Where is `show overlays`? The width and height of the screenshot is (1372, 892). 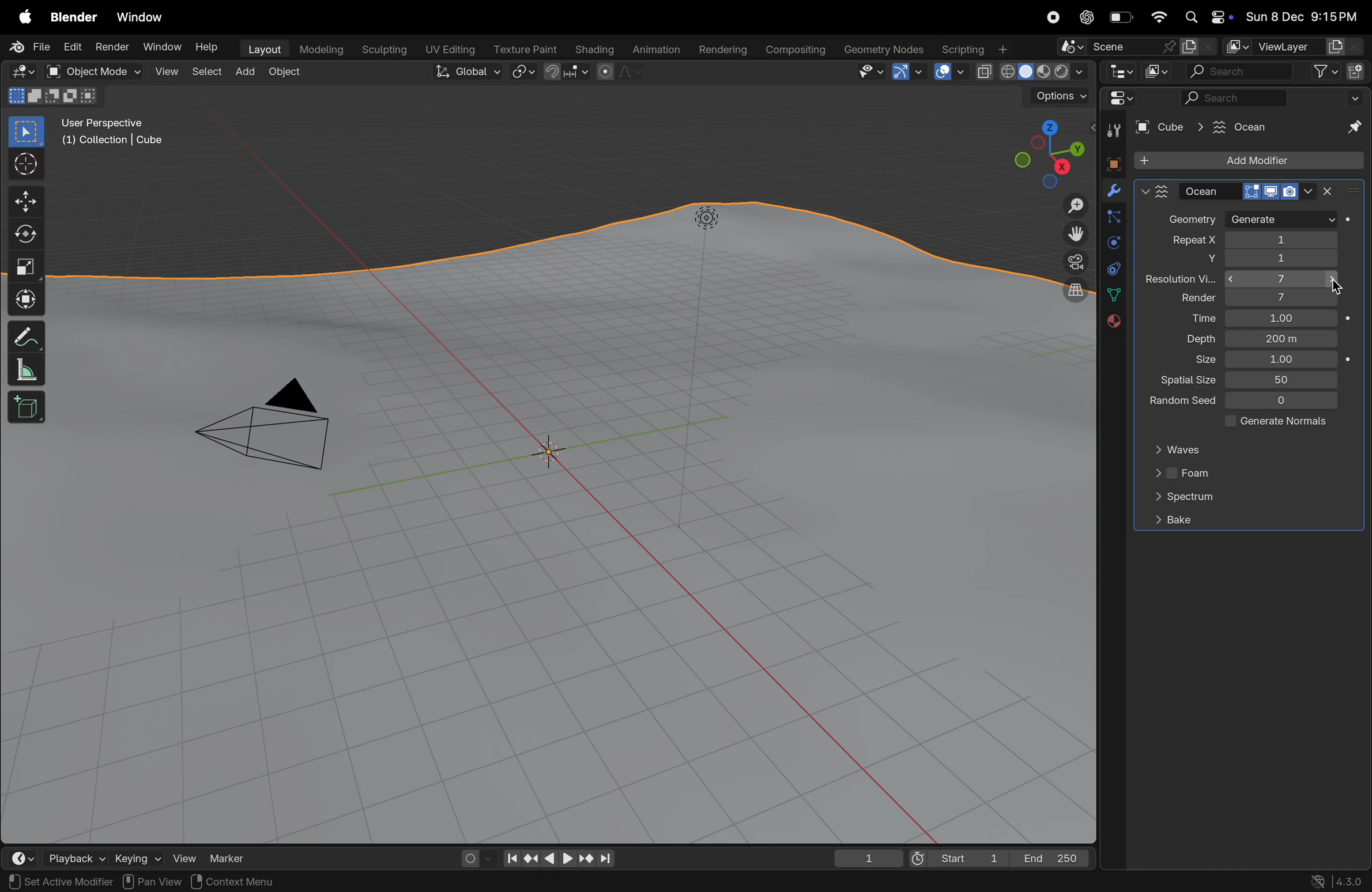
show overlays is located at coordinates (949, 71).